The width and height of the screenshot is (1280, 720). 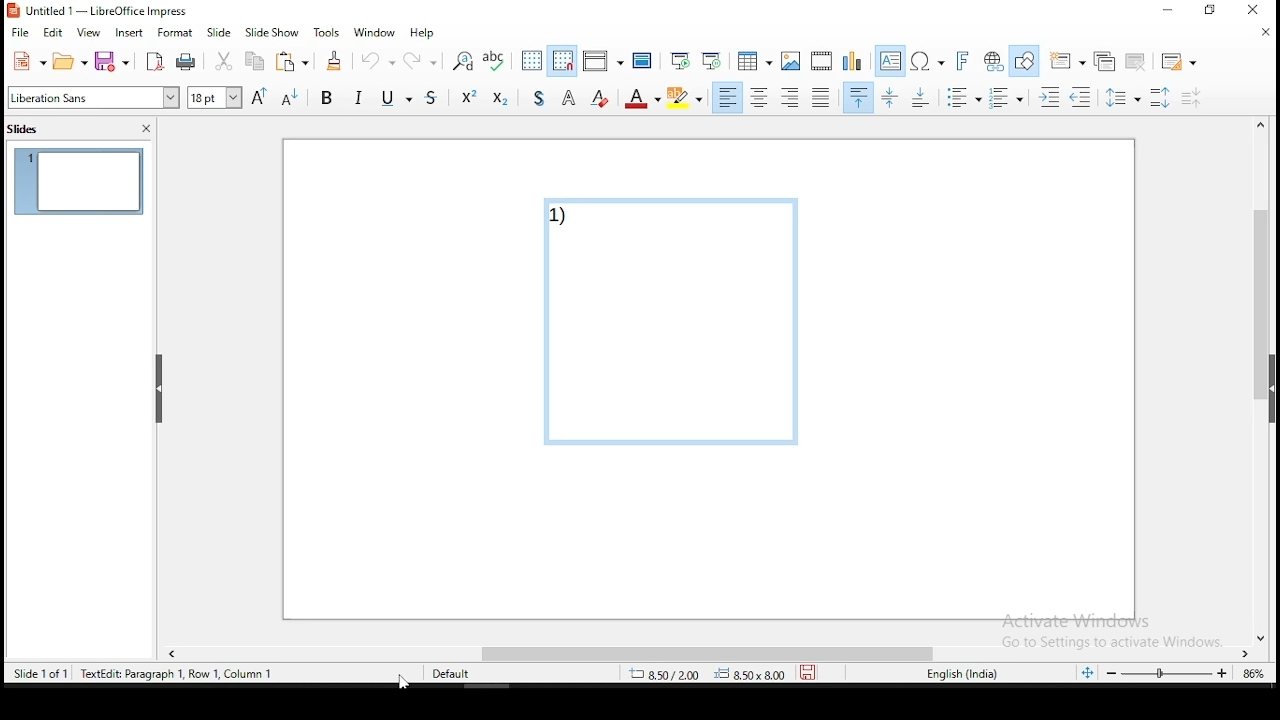 What do you see at coordinates (493, 59) in the screenshot?
I see `spell check` at bounding box center [493, 59].